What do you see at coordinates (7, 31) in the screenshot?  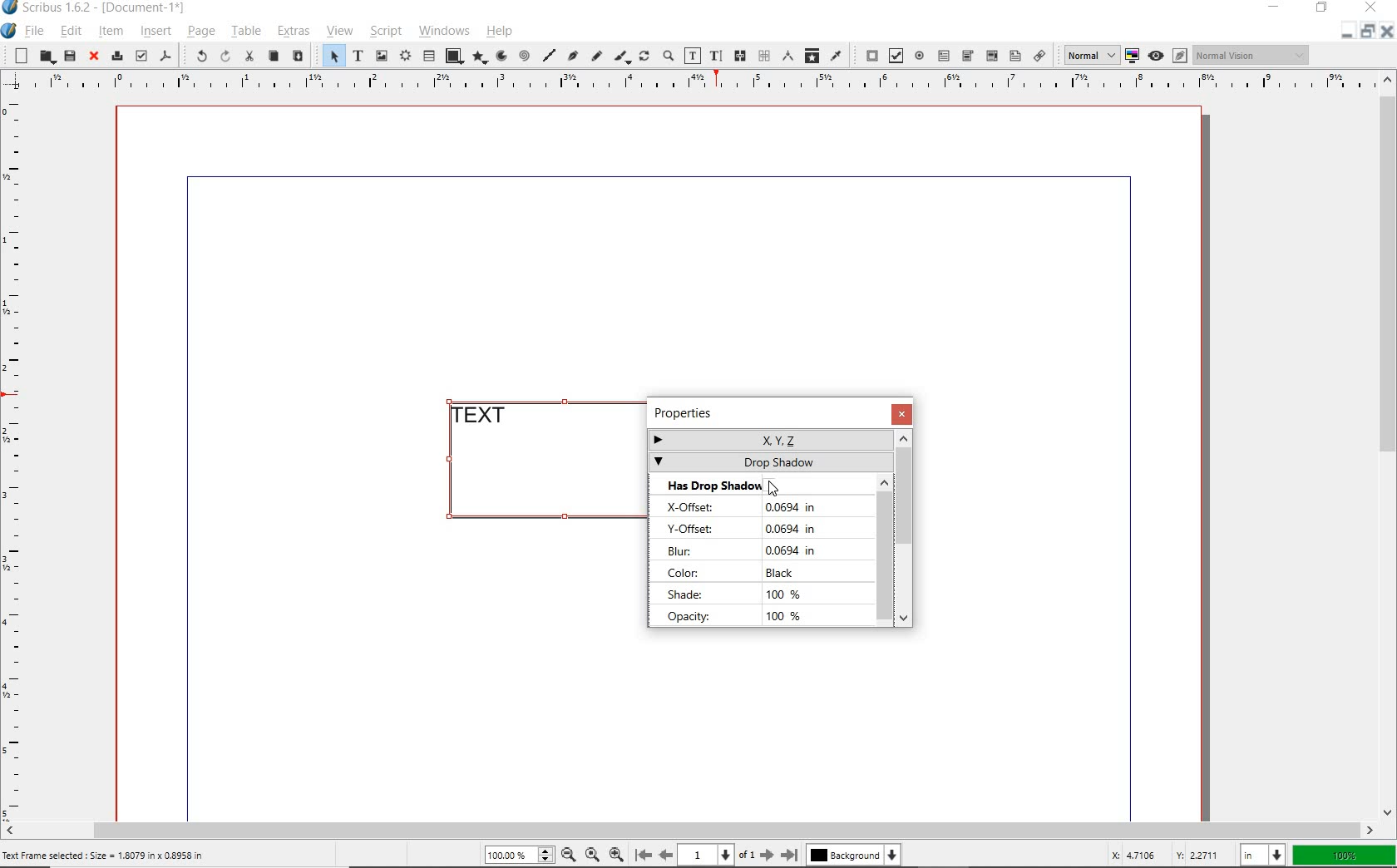 I see `system icon` at bounding box center [7, 31].